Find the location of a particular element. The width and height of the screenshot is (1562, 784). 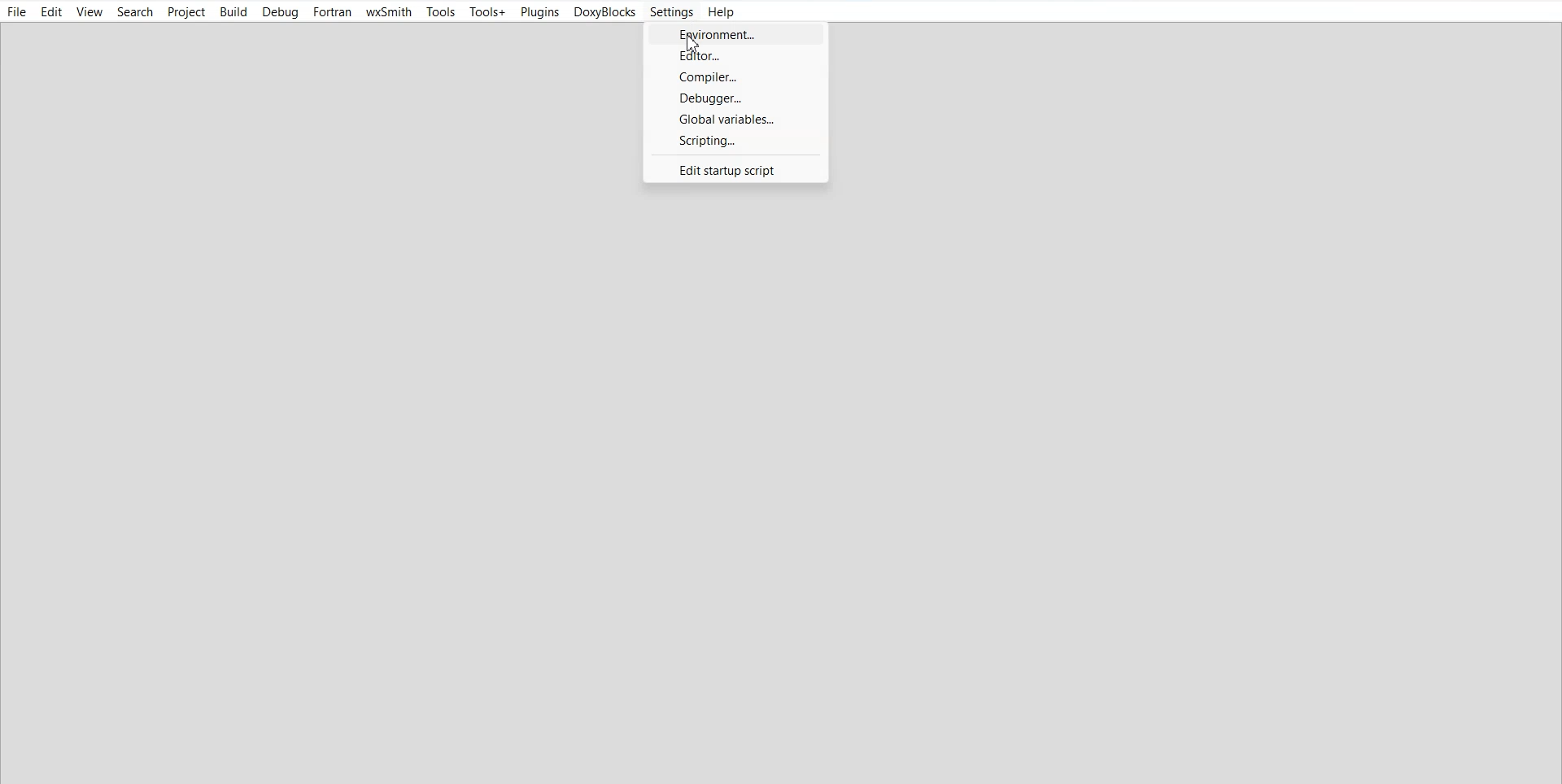

Environment is located at coordinates (737, 33).